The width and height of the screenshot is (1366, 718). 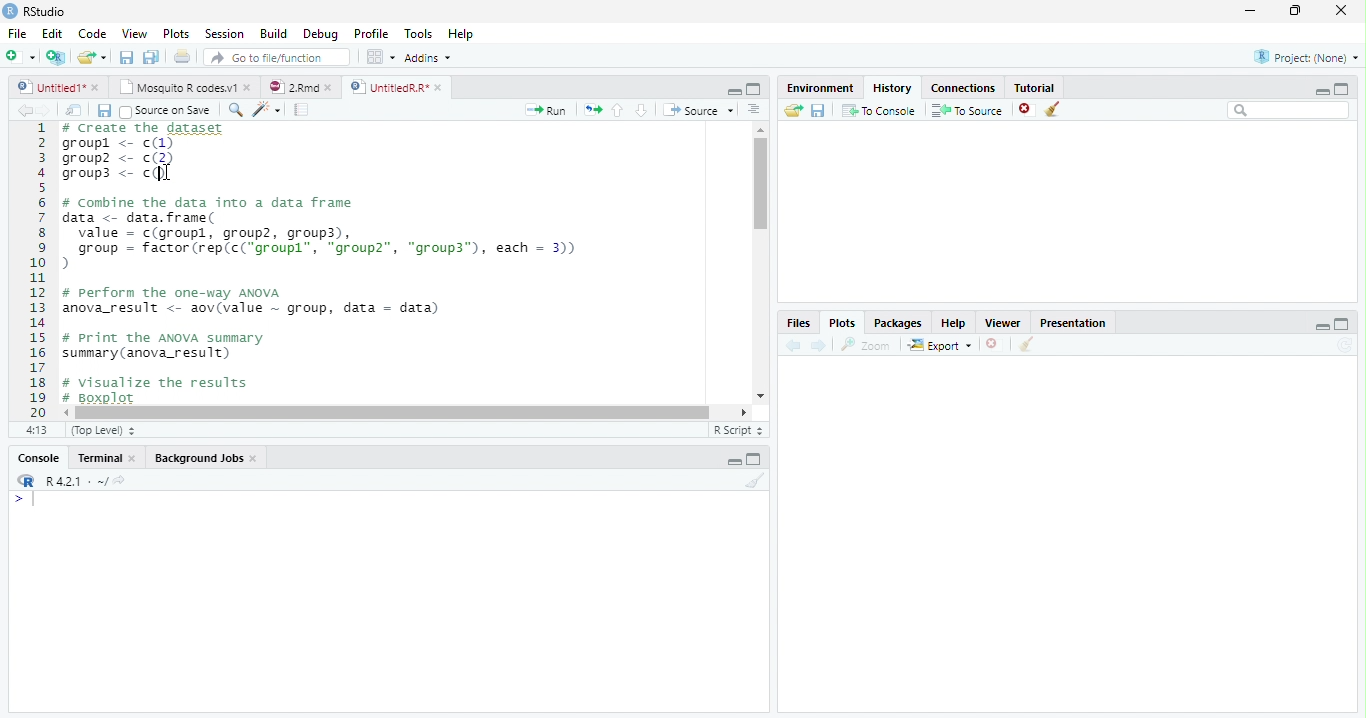 I want to click on Tools, so click(x=420, y=33).